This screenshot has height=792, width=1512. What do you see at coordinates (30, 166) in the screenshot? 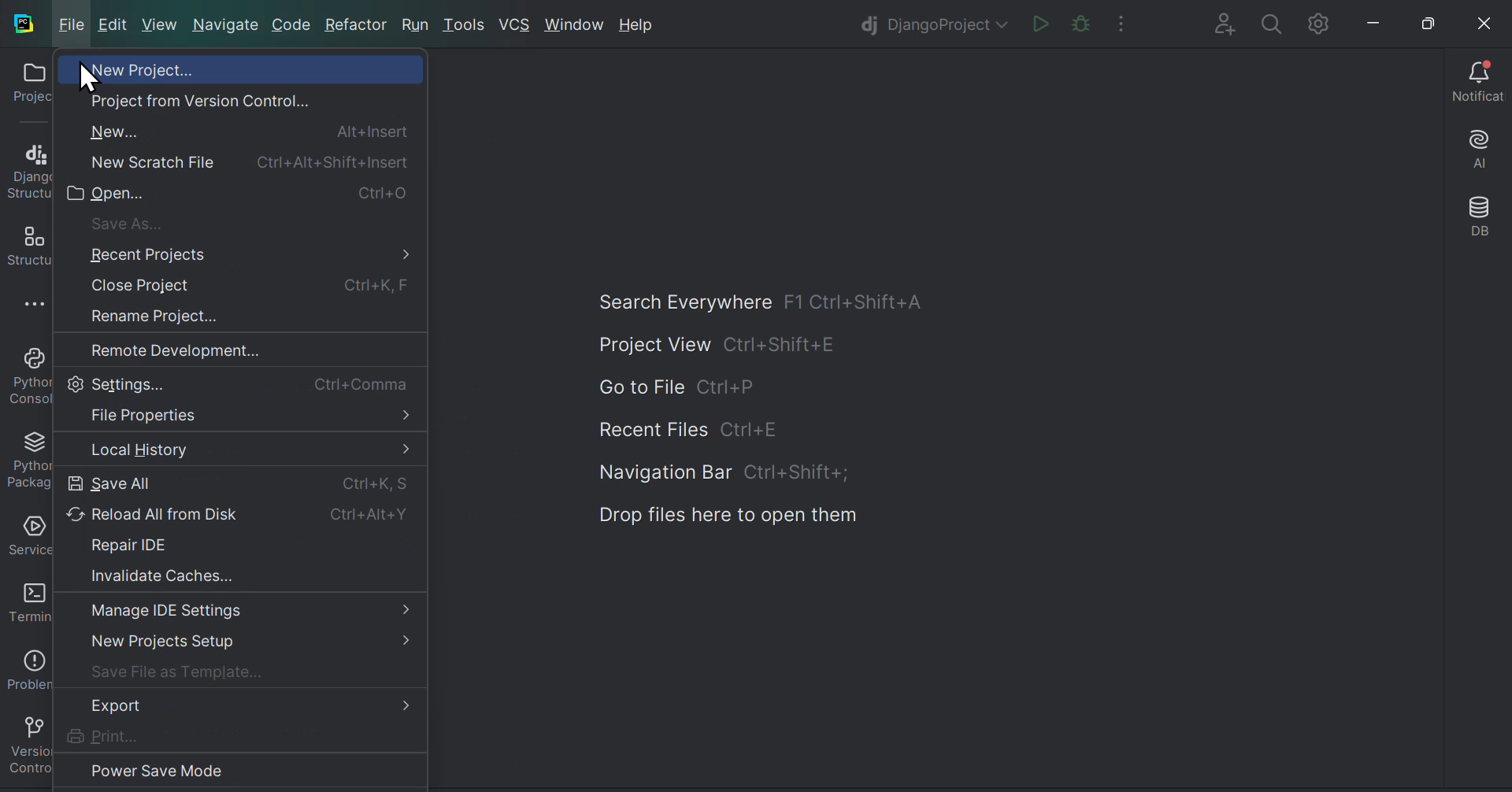
I see `Django structures` at bounding box center [30, 166].